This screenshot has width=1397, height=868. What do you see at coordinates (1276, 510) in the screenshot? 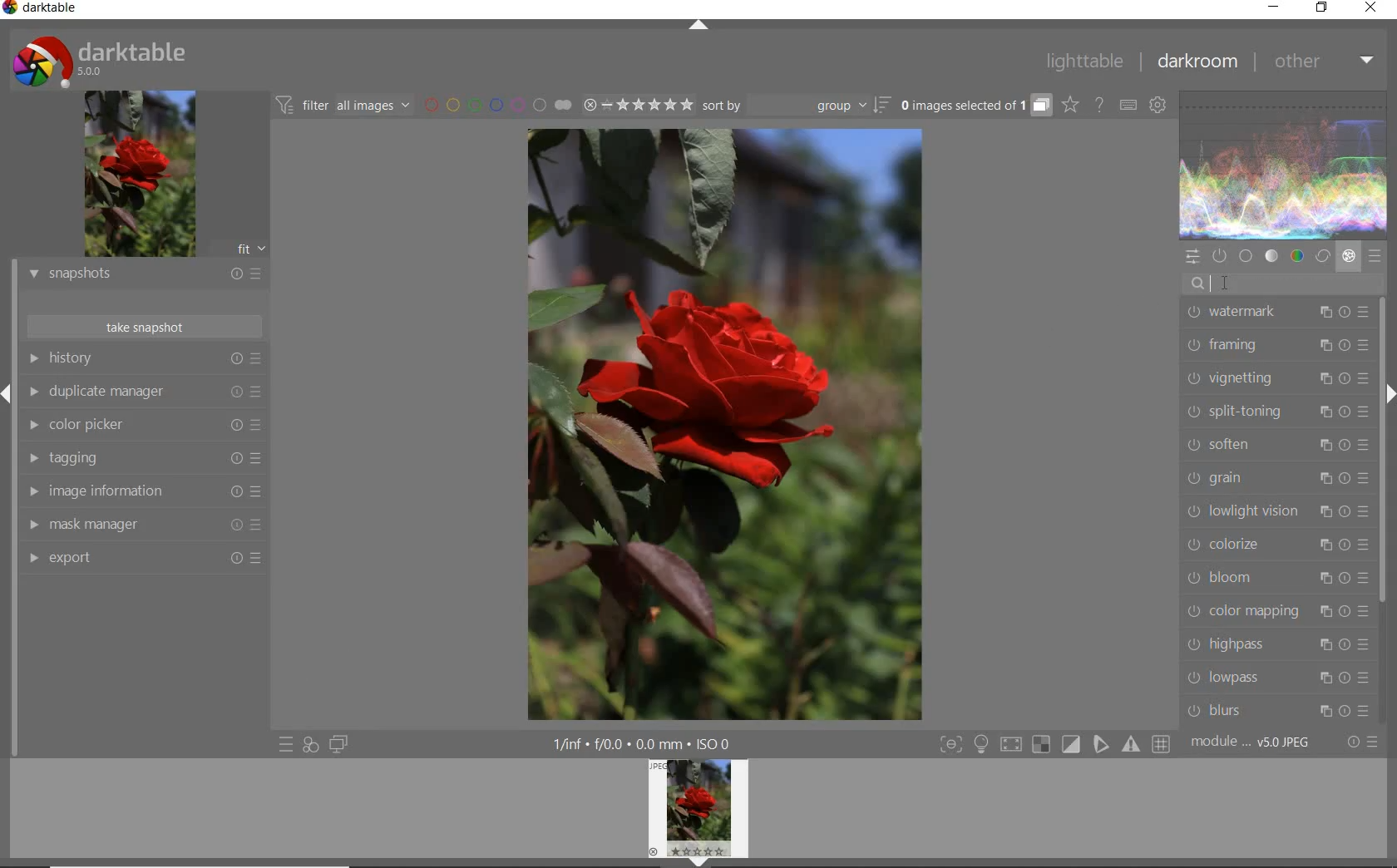
I see `lowlight vision` at bounding box center [1276, 510].